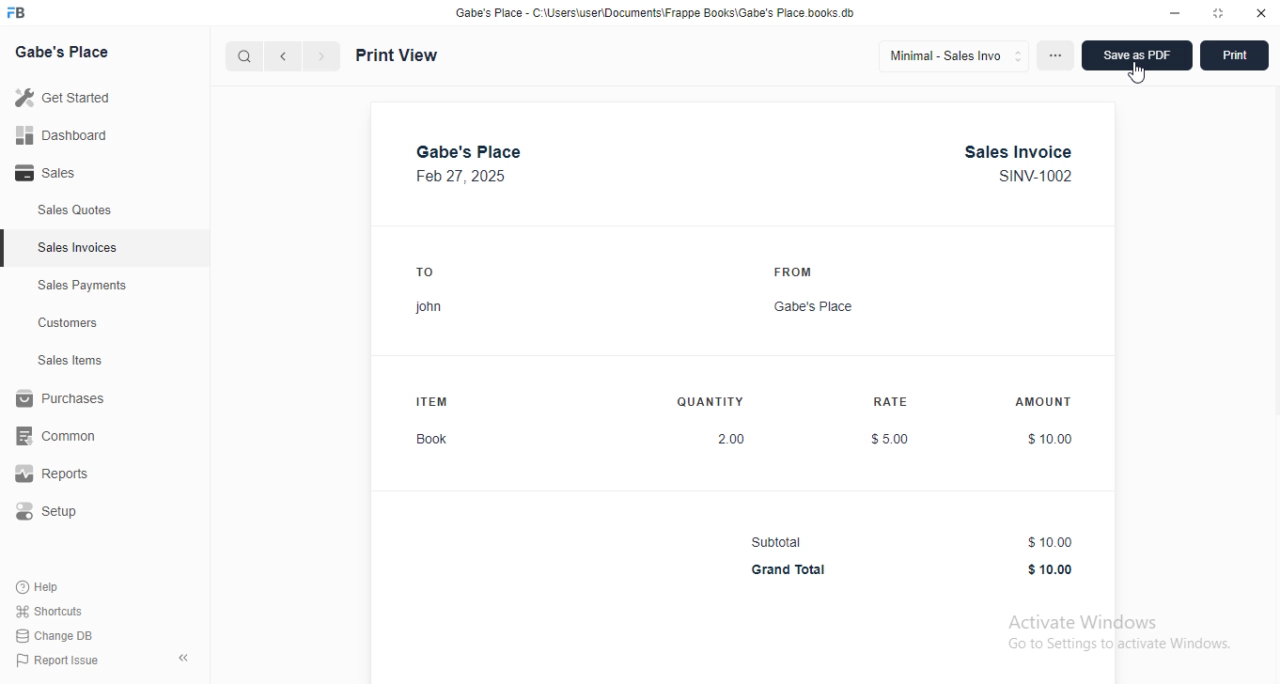 The height and width of the screenshot is (684, 1280). I want to click on Book, so click(433, 439).